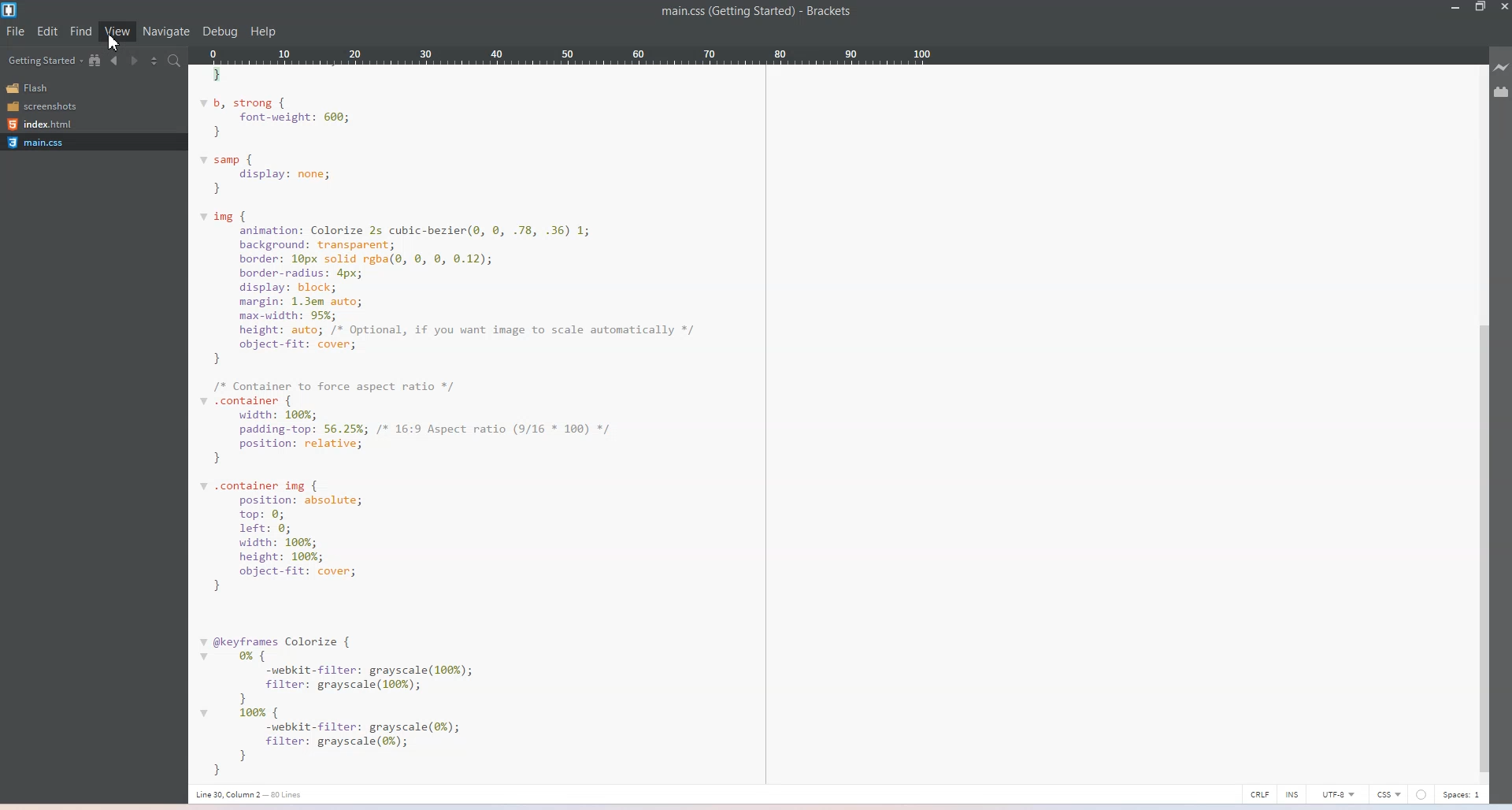 Image resolution: width=1512 pixels, height=810 pixels. What do you see at coordinates (47, 123) in the screenshot?
I see `index.html` at bounding box center [47, 123].